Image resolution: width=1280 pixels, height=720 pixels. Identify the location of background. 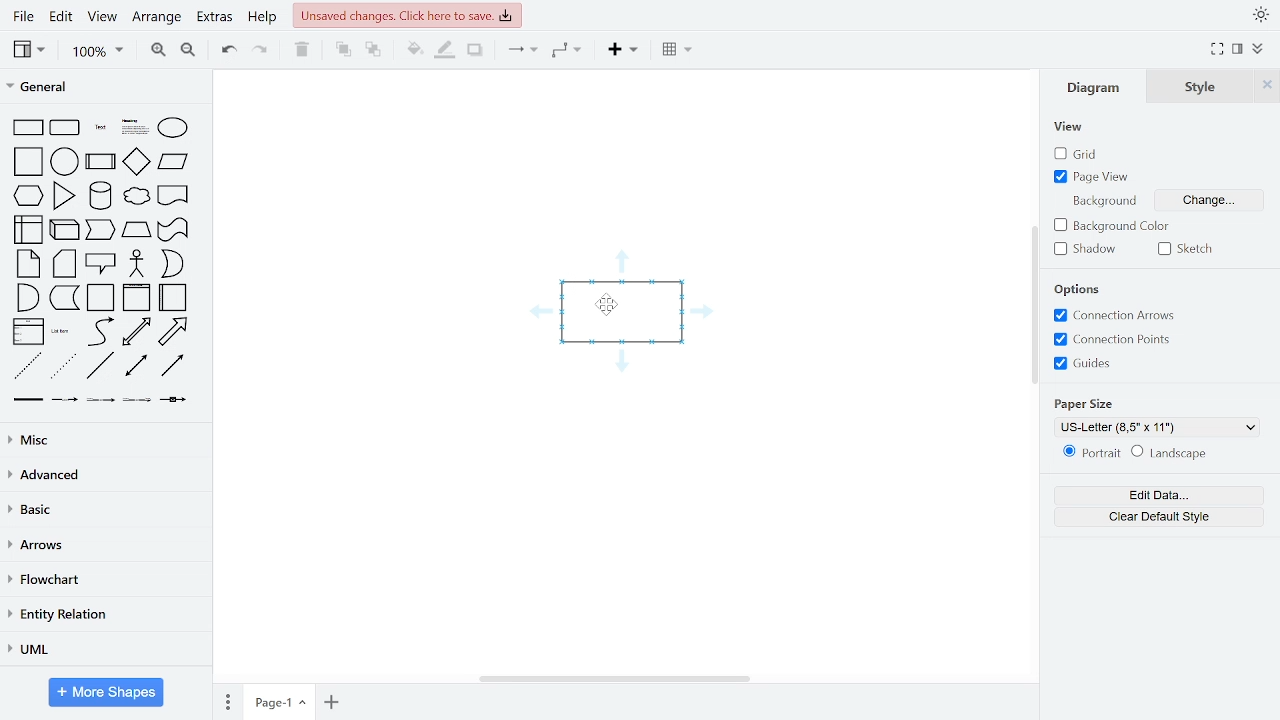
(1106, 201).